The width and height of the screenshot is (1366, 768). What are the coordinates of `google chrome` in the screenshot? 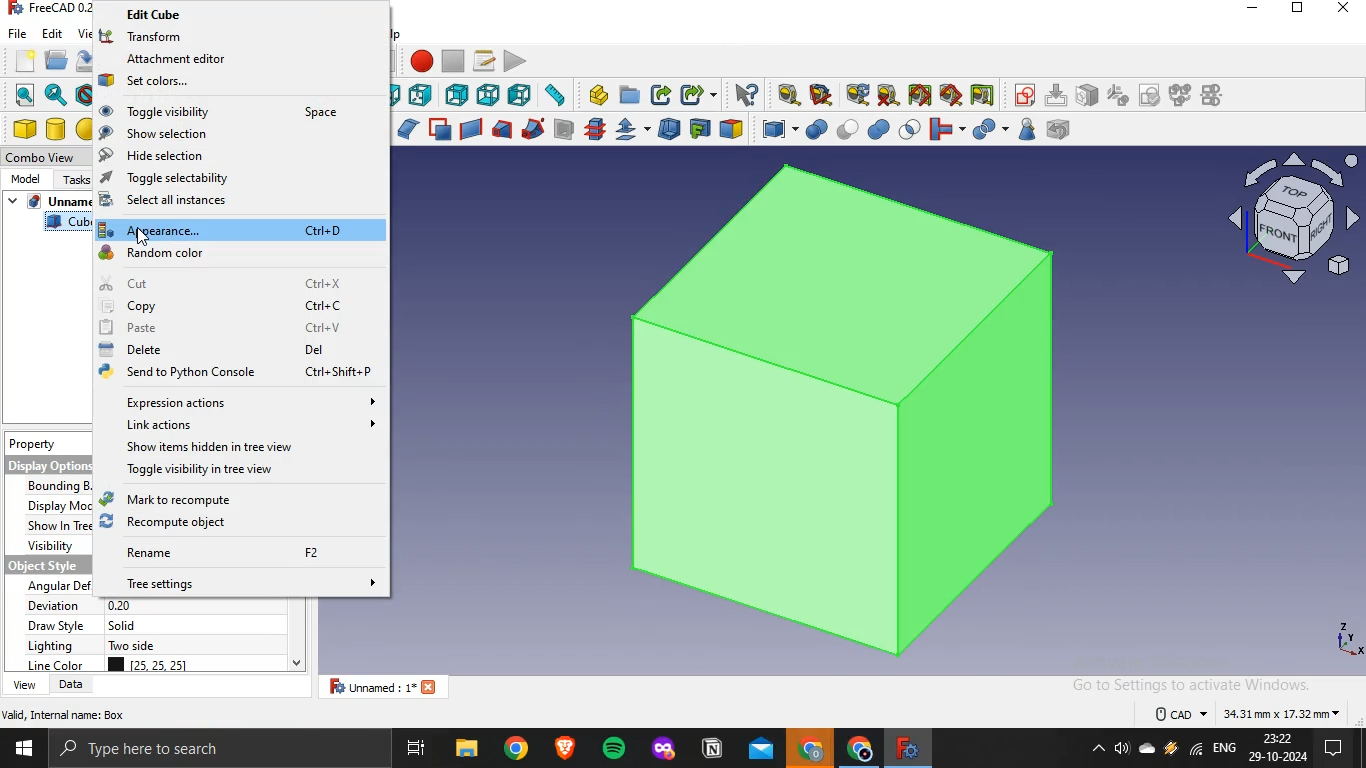 It's located at (856, 750).